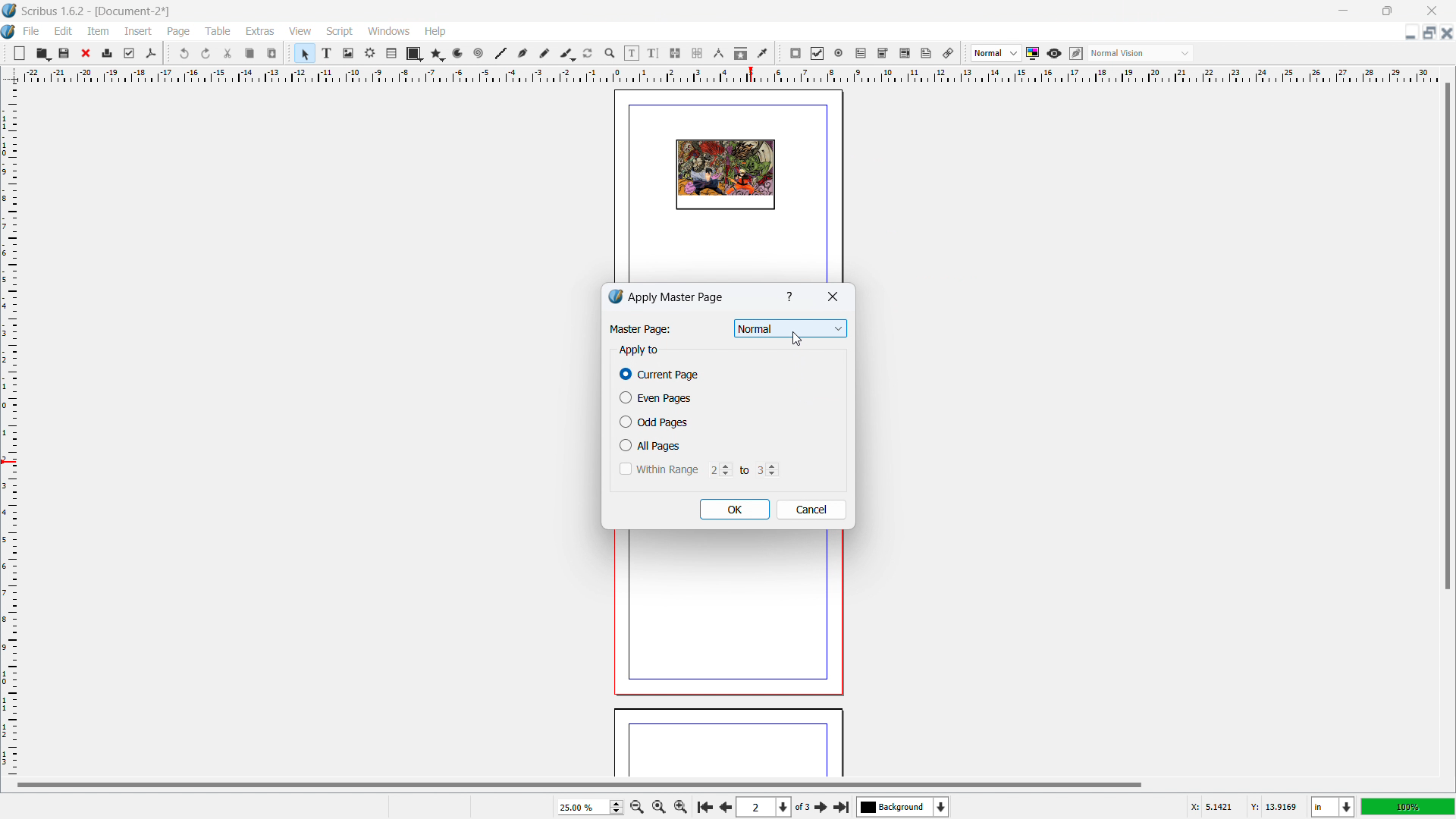  I want to click on close, so click(87, 53).